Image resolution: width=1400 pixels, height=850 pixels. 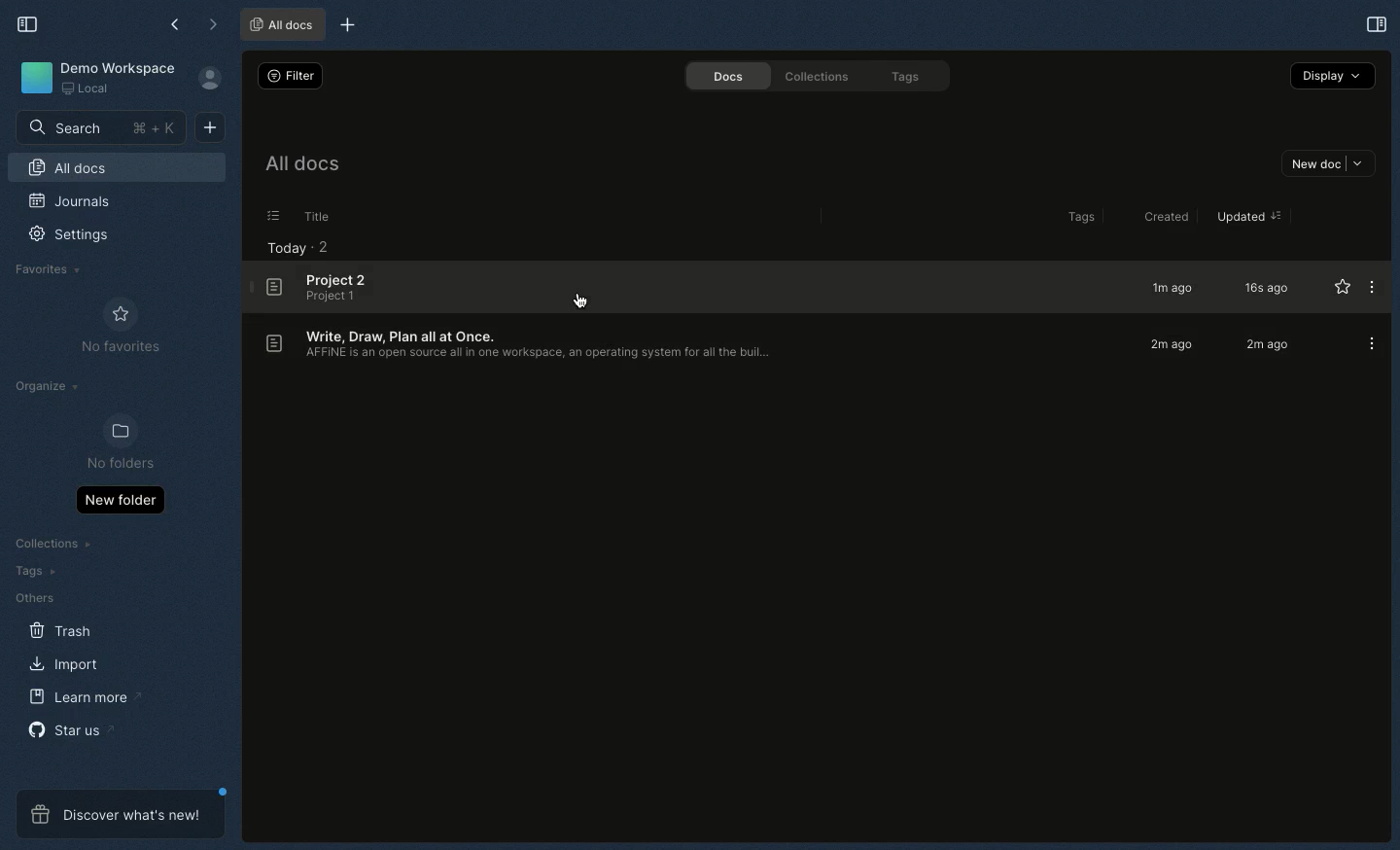 What do you see at coordinates (1372, 343) in the screenshot?
I see `Options` at bounding box center [1372, 343].